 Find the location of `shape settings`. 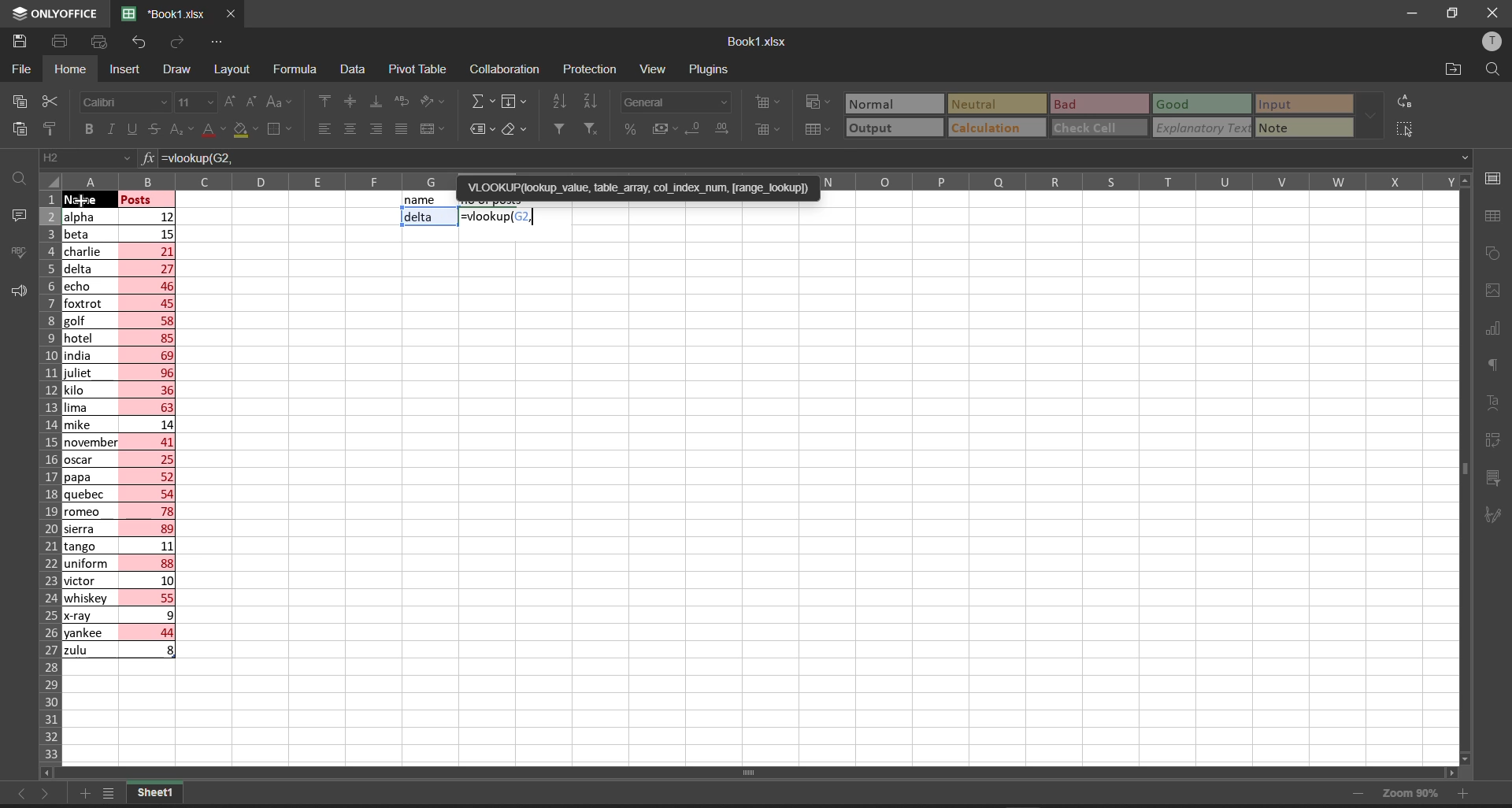

shape settings is located at coordinates (1496, 254).